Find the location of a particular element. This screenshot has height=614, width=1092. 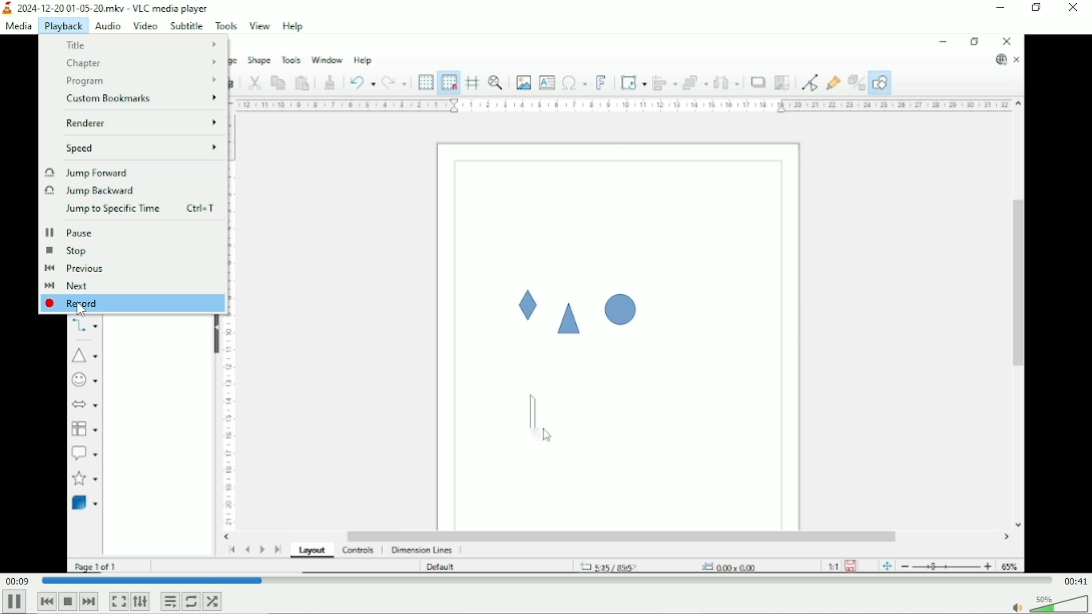

Stop is located at coordinates (130, 251).